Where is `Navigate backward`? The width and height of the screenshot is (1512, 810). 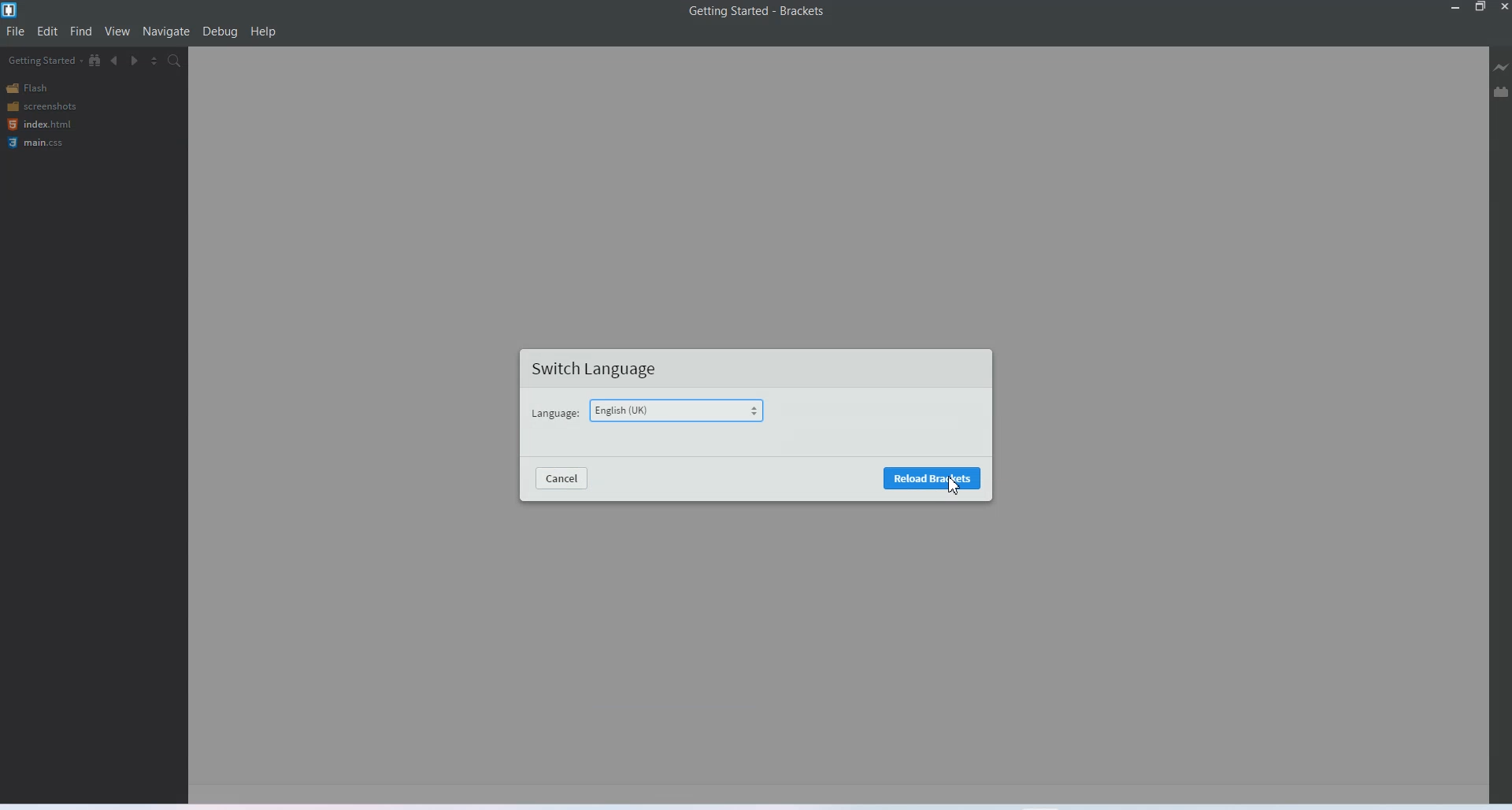 Navigate backward is located at coordinates (115, 61).